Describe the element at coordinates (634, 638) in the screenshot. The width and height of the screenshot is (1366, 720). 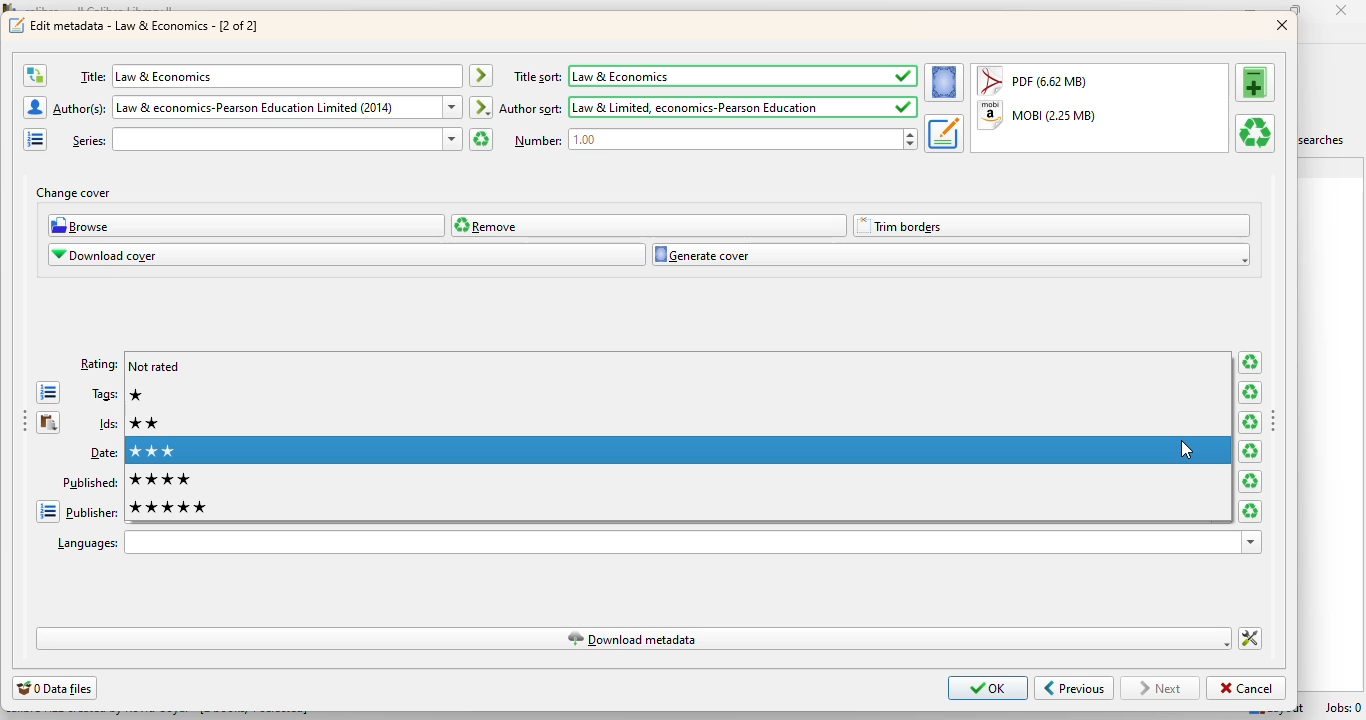
I see `download metadata` at that location.